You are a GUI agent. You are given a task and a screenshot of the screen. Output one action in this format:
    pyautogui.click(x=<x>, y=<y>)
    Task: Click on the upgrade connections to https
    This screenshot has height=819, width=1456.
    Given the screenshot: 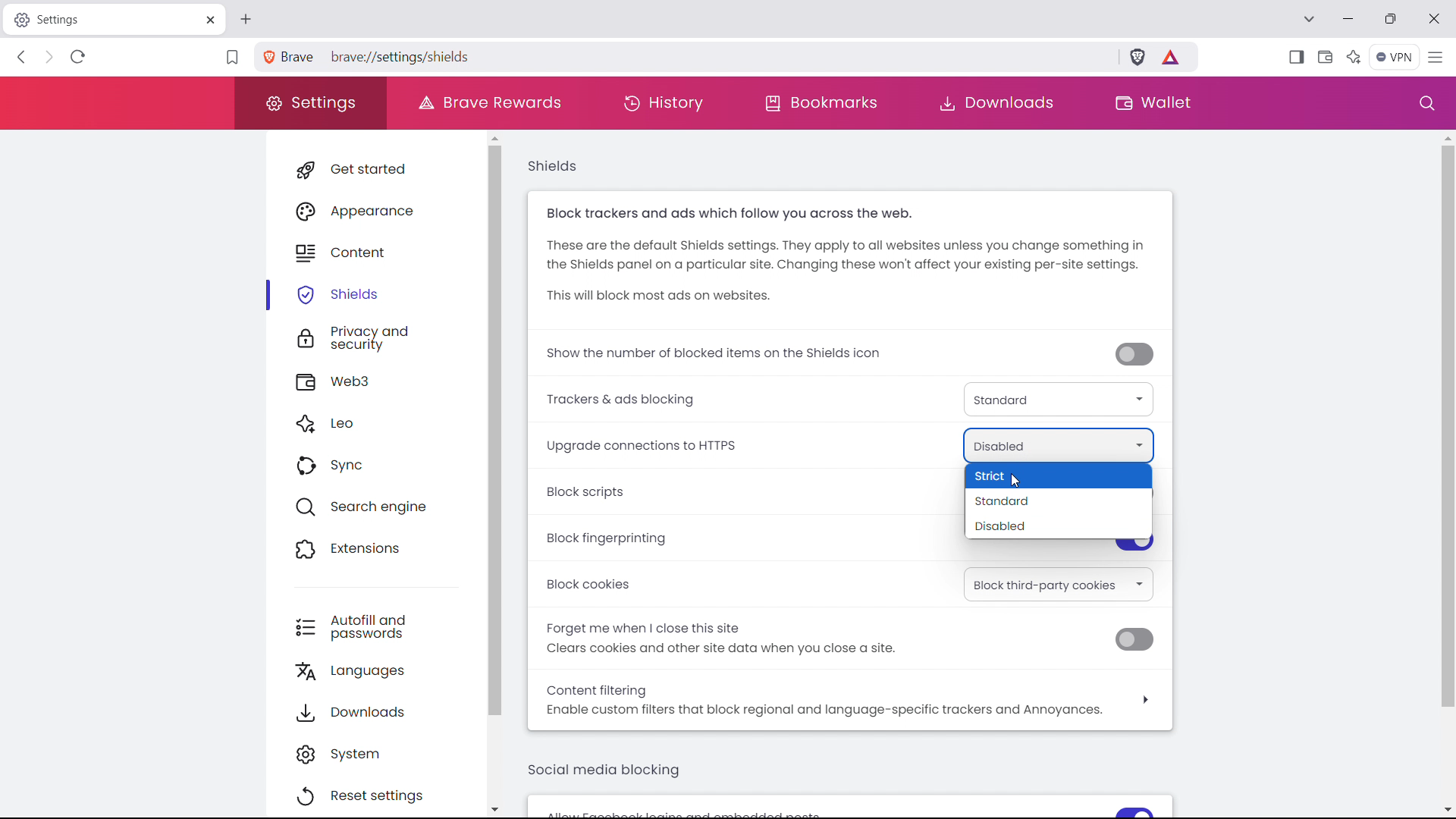 What is the action you would take?
    pyautogui.click(x=1058, y=445)
    